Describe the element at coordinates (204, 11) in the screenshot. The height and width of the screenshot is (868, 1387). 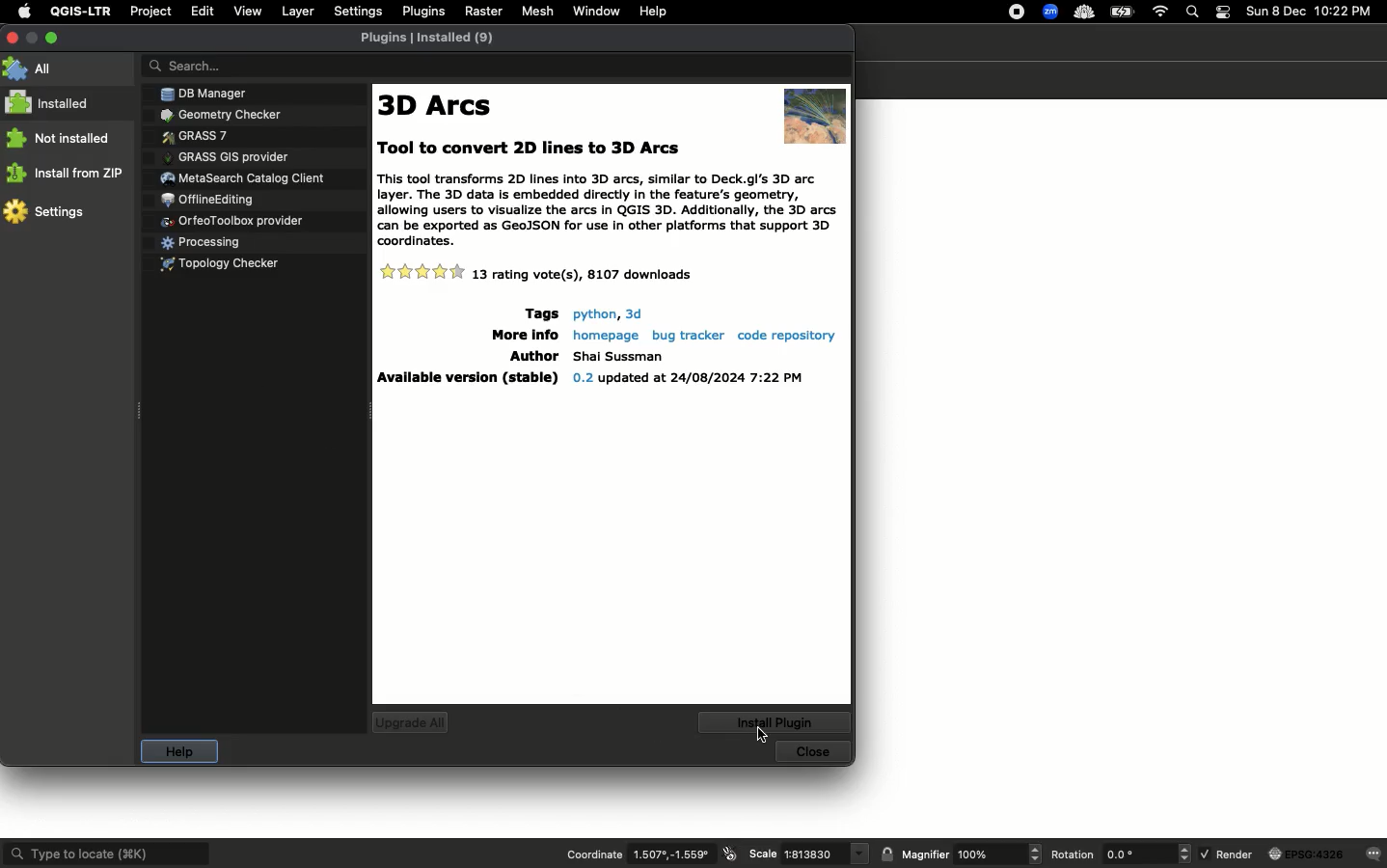
I see `Edit` at that location.